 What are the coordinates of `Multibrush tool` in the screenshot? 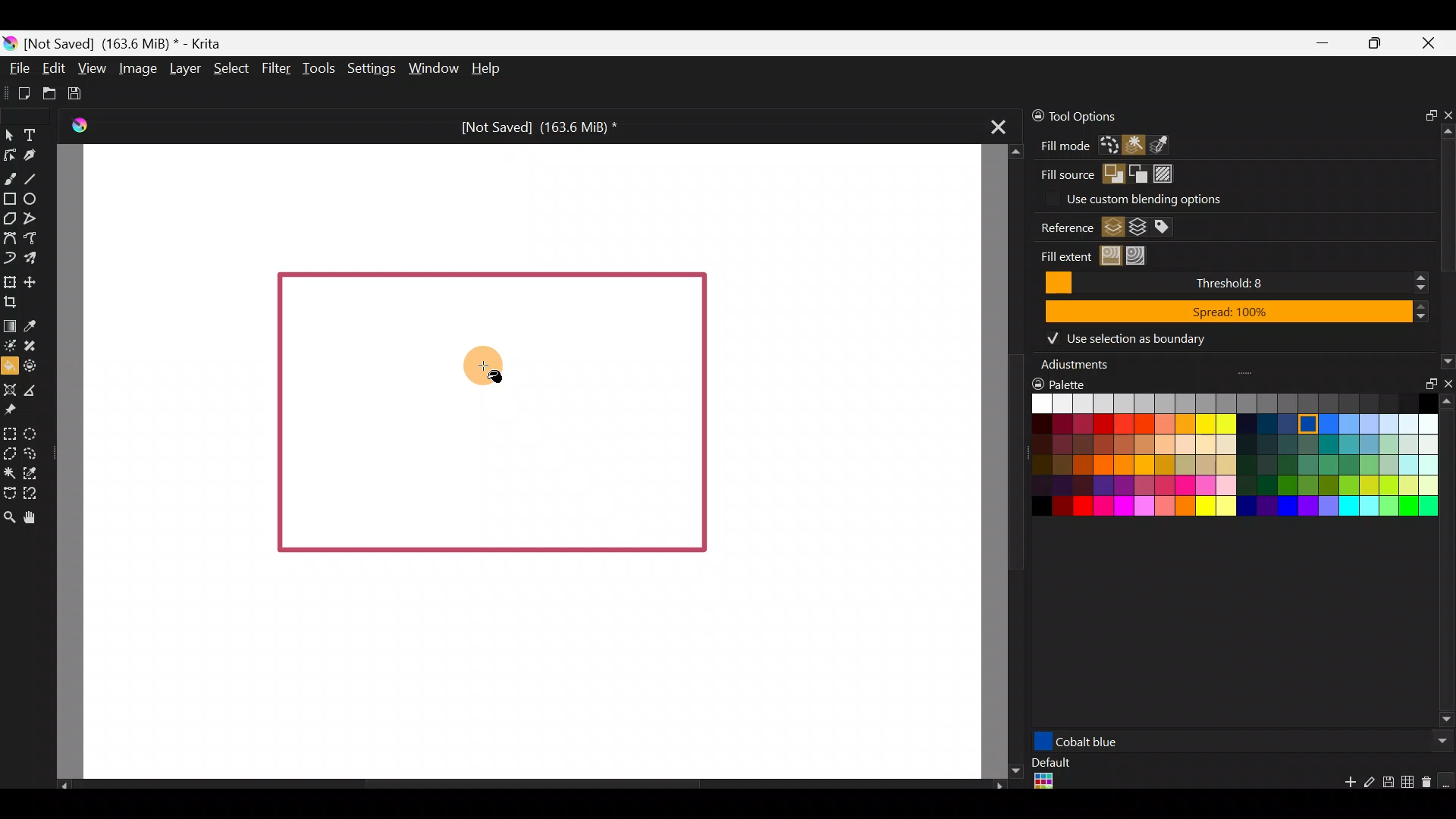 It's located at (32, 256).